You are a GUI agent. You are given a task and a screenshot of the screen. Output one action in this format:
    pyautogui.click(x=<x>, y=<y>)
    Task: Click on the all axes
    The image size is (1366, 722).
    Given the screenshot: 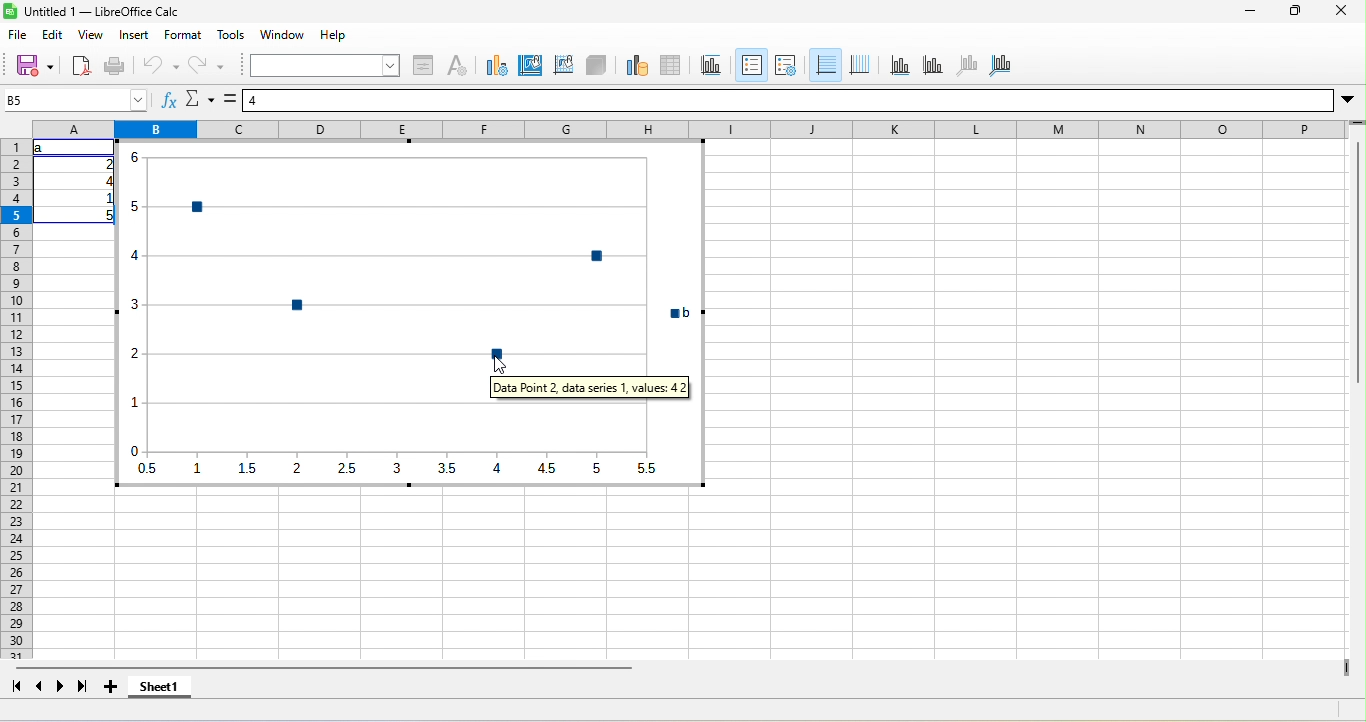 What is the action you would take?
    pyautogui.click(x=1000, y=67)
    